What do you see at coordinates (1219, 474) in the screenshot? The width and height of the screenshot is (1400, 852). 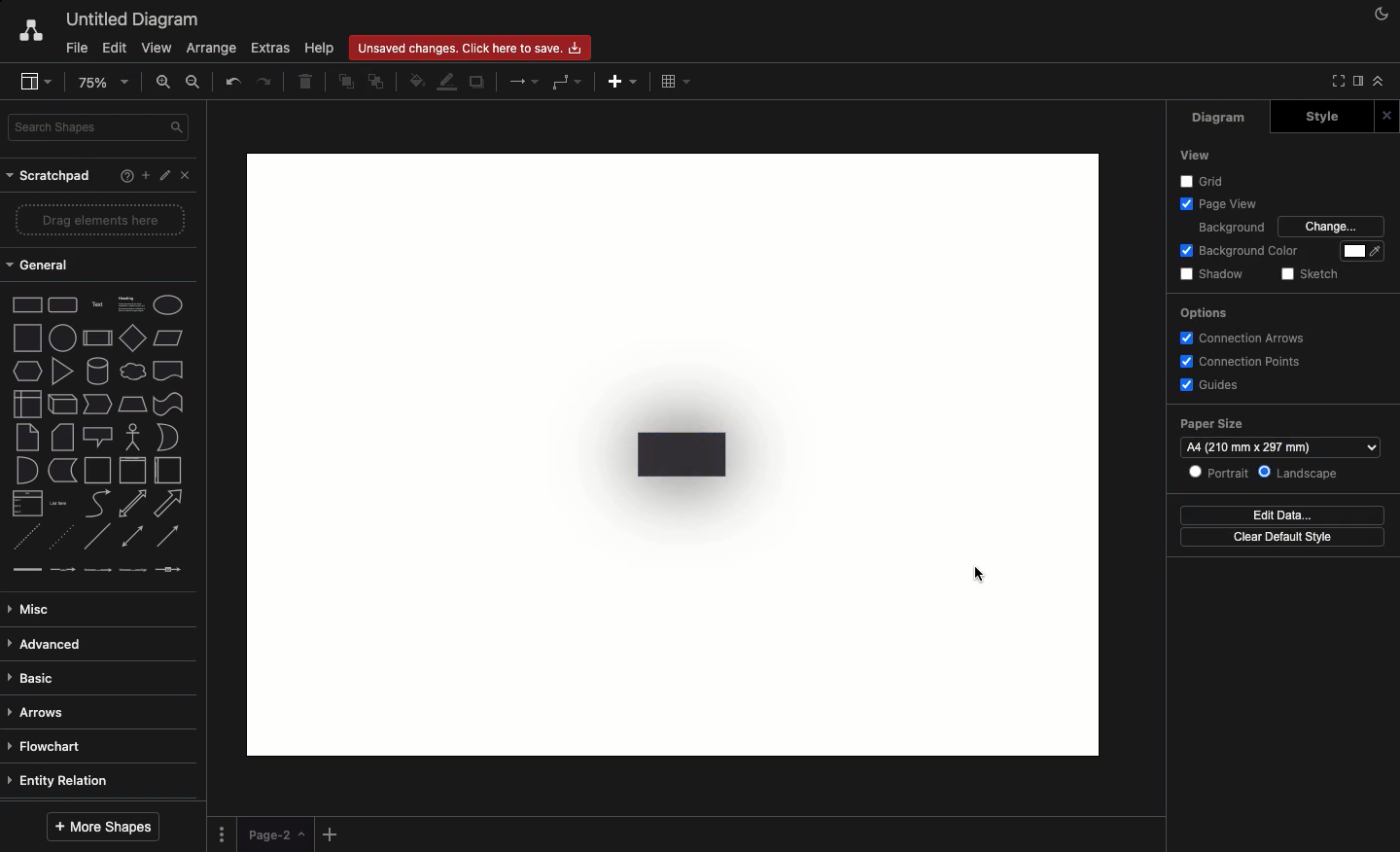 I see `Portrait` at bounding box center [1219, 474].